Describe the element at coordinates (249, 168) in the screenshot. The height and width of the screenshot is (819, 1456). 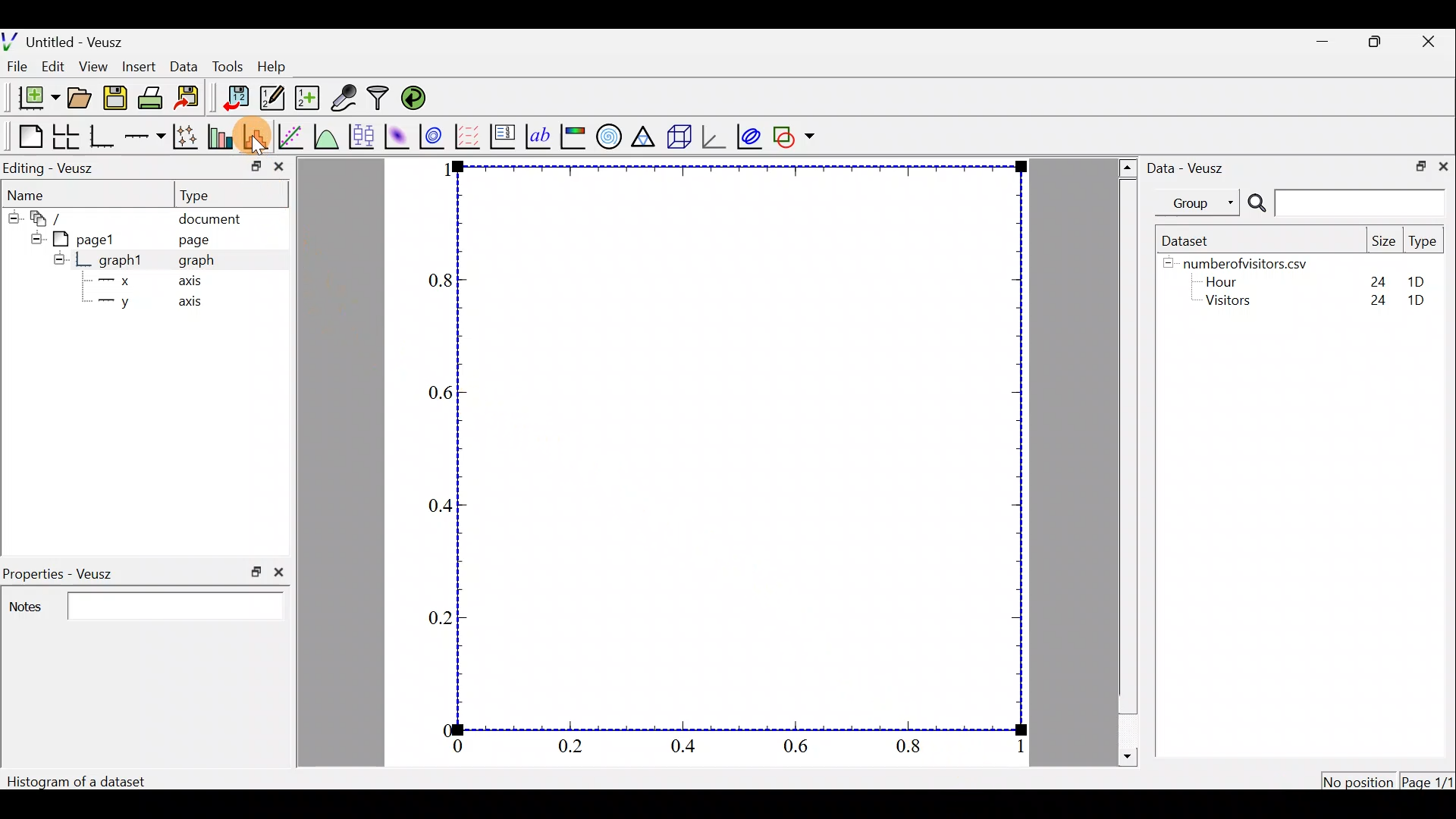
I see `restore down` at that location.